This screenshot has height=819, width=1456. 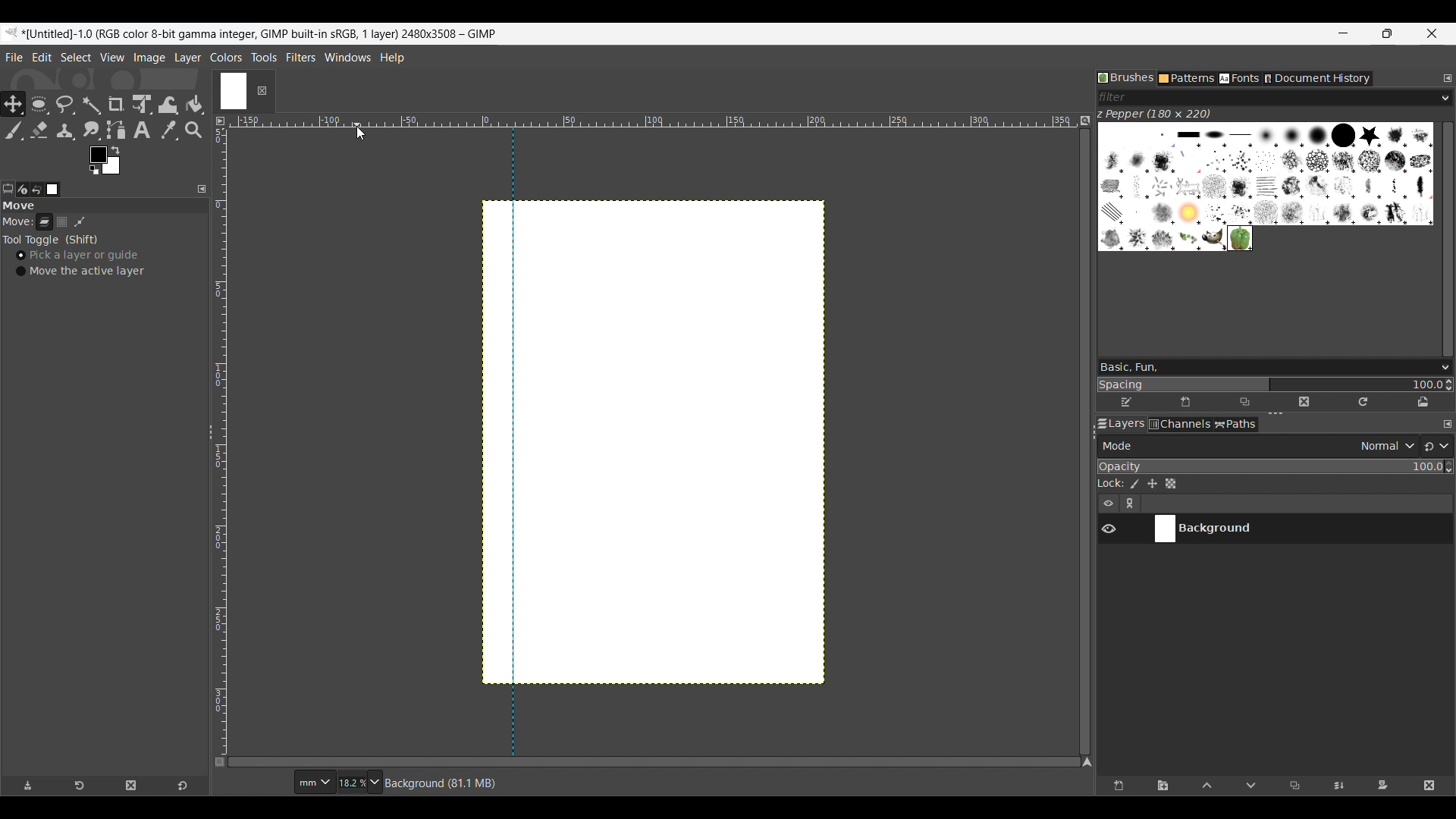 I want to click on Save tool preset, so click(x=28, y=786).